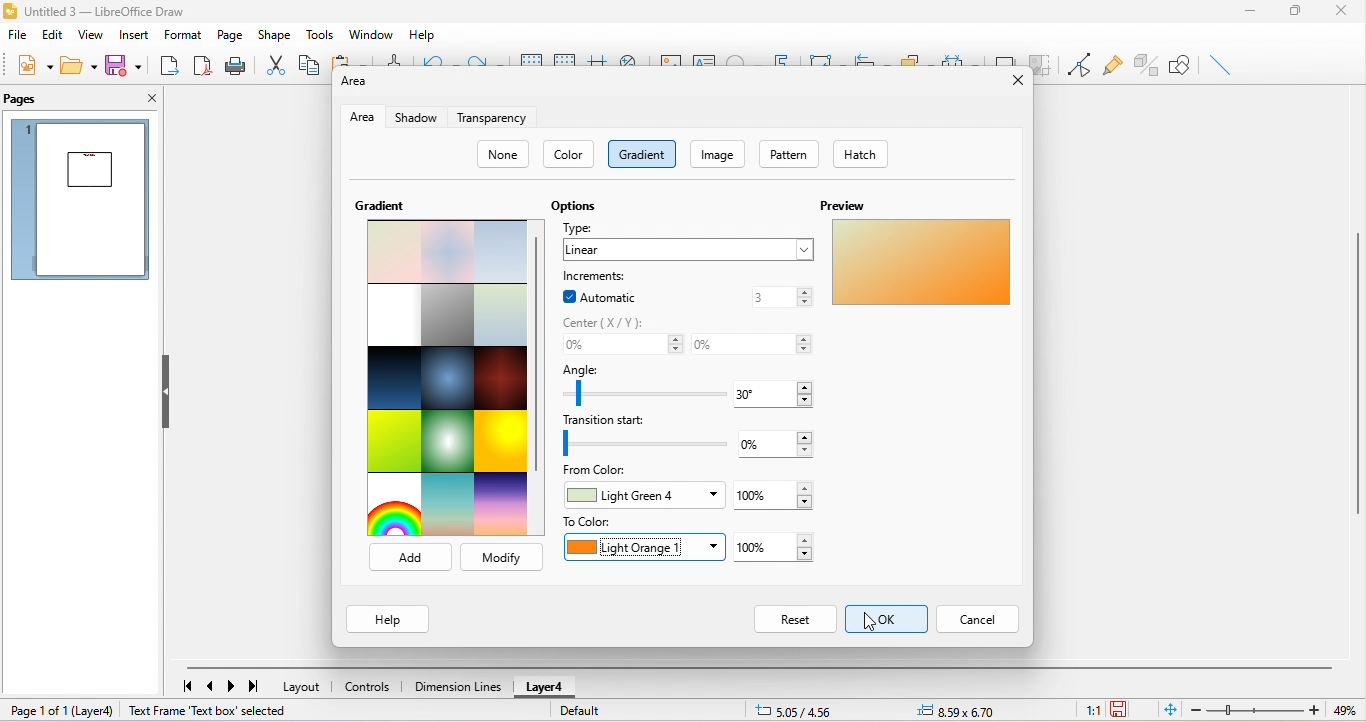 Image resolution: width=1366 pixels, height=722 pixels. I want to click on enable checkbox, so click(566, 296).